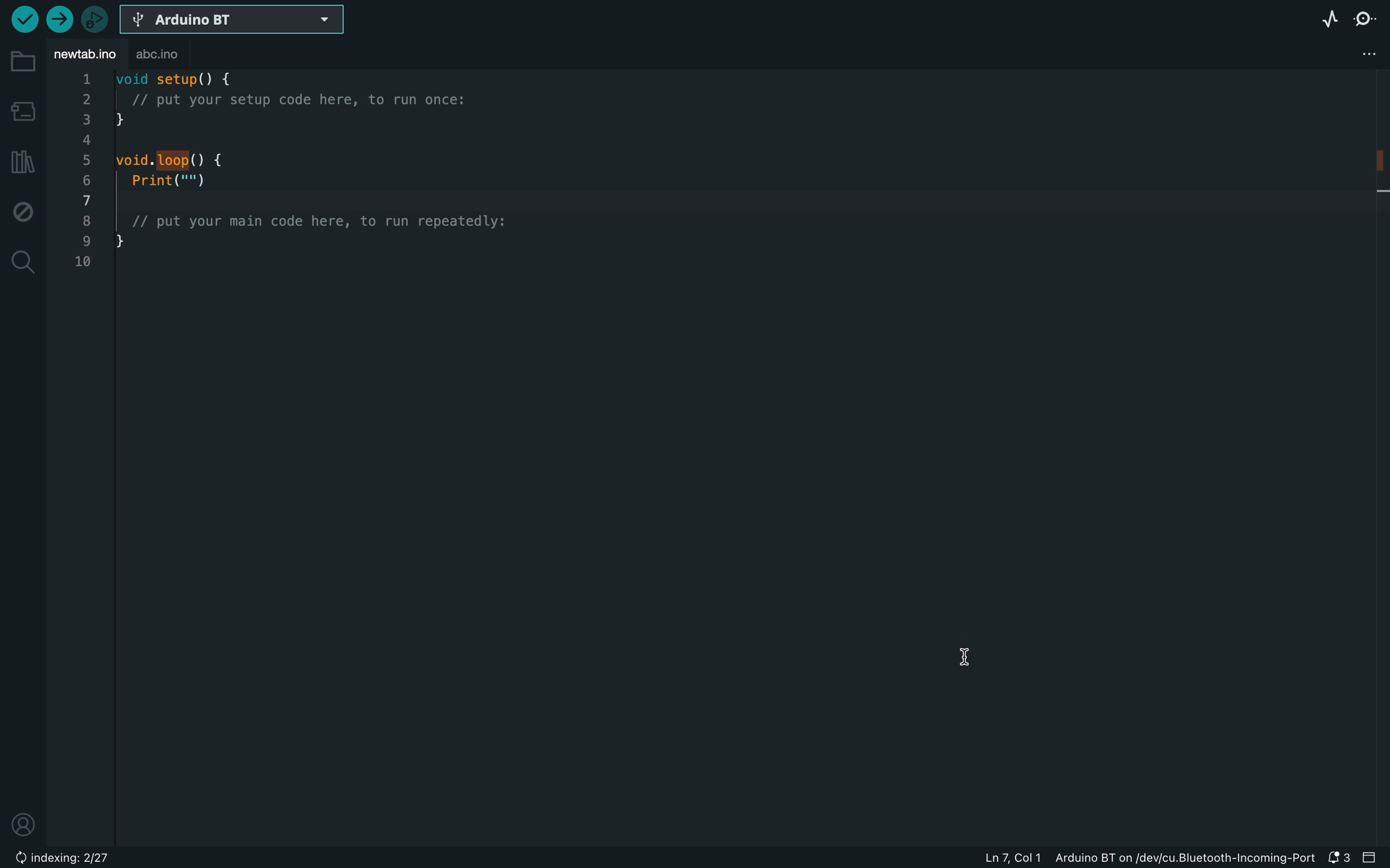 This screenshot has width=1390, height=868. Describe the element at coordinates (159, 55) in the screenshot. I see `abc` at that location.